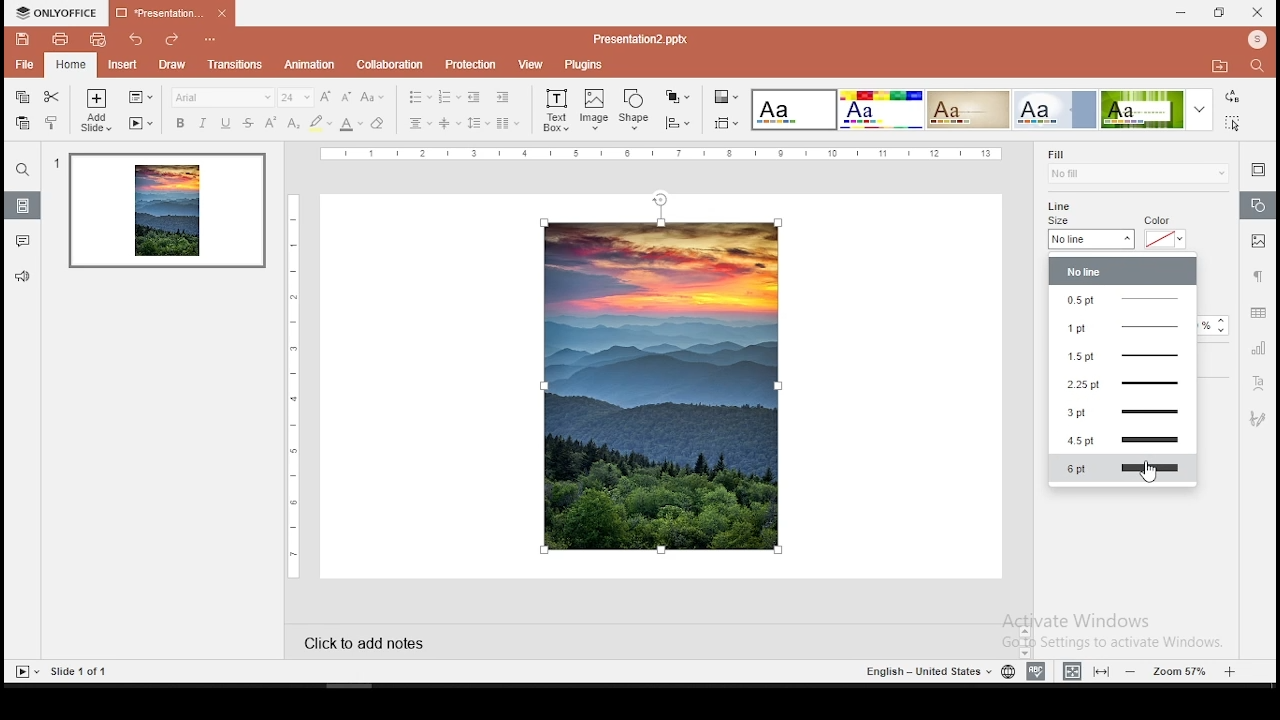  Describe the element at coordinates (167, 213) in the screenshot. I see `slide 1` at that location.